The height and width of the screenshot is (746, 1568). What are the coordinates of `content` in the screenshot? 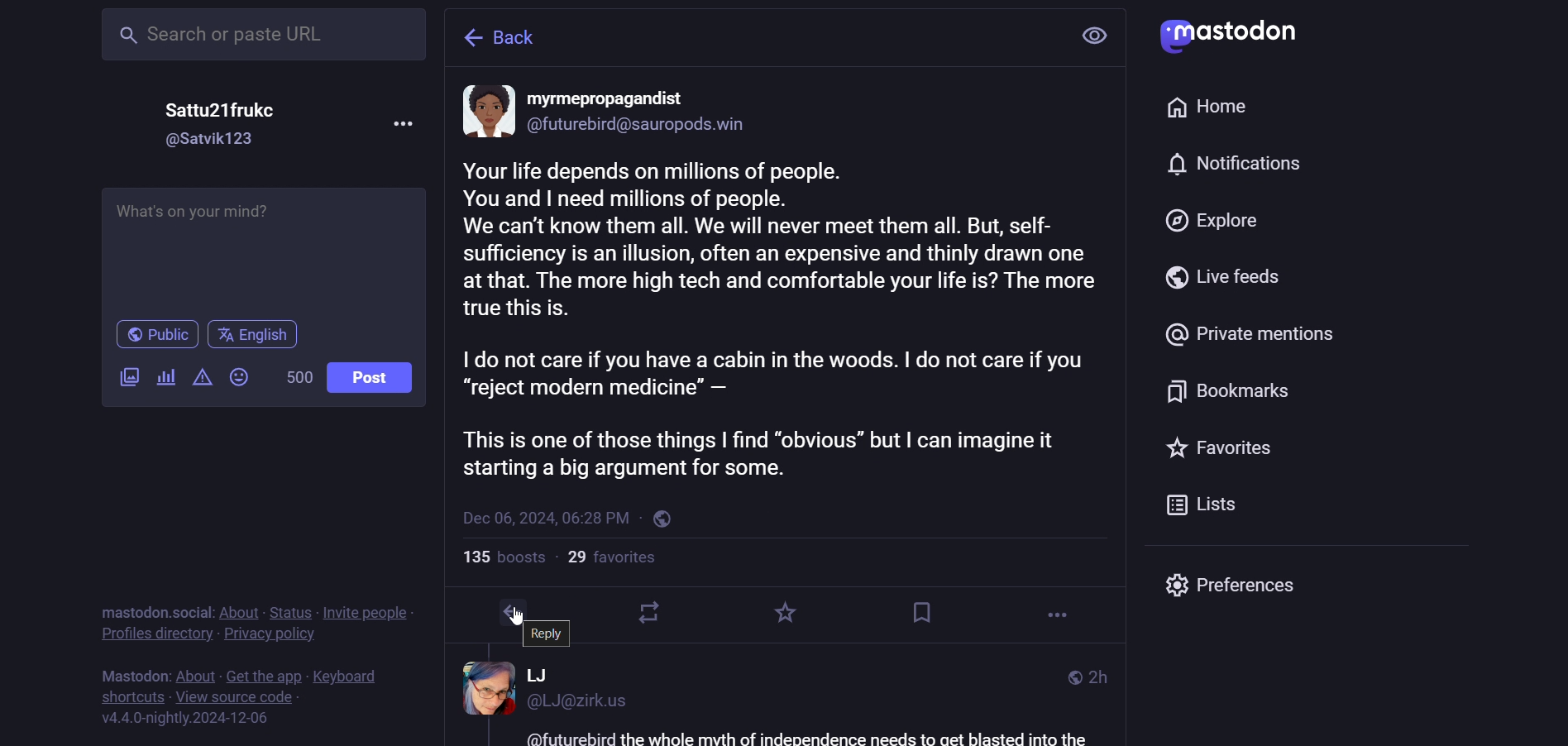 It's located at (782, 320).